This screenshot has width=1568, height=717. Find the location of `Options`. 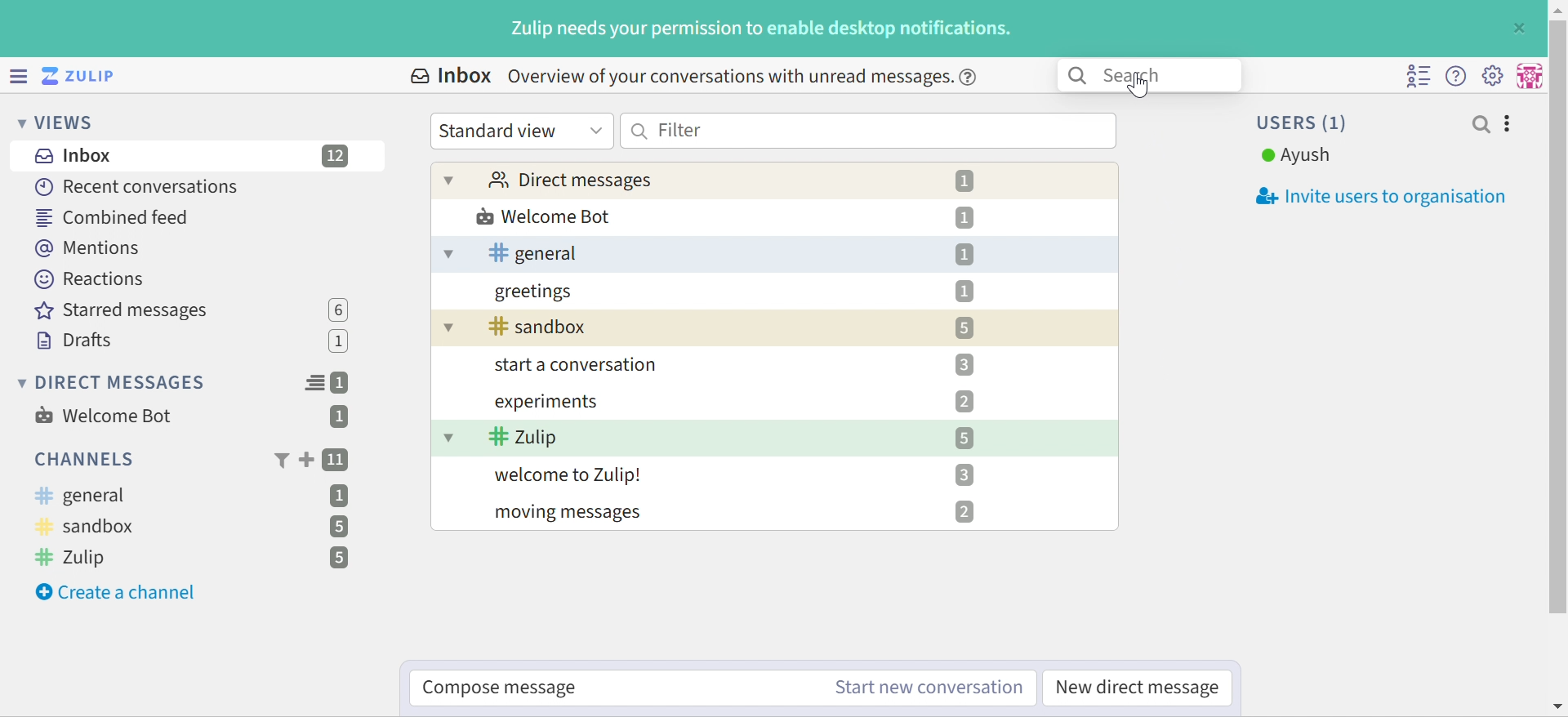

Options is located at coordinates (1508, 124).